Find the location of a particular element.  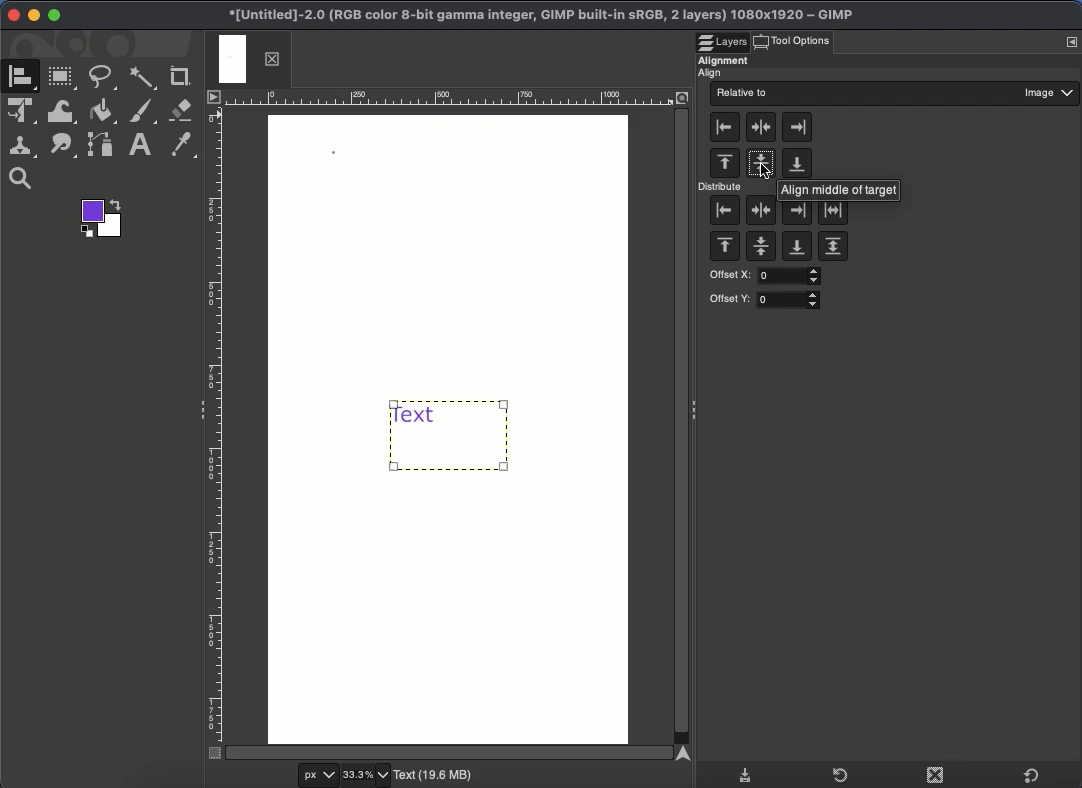

Distribute is located at coordinates (722, 188).